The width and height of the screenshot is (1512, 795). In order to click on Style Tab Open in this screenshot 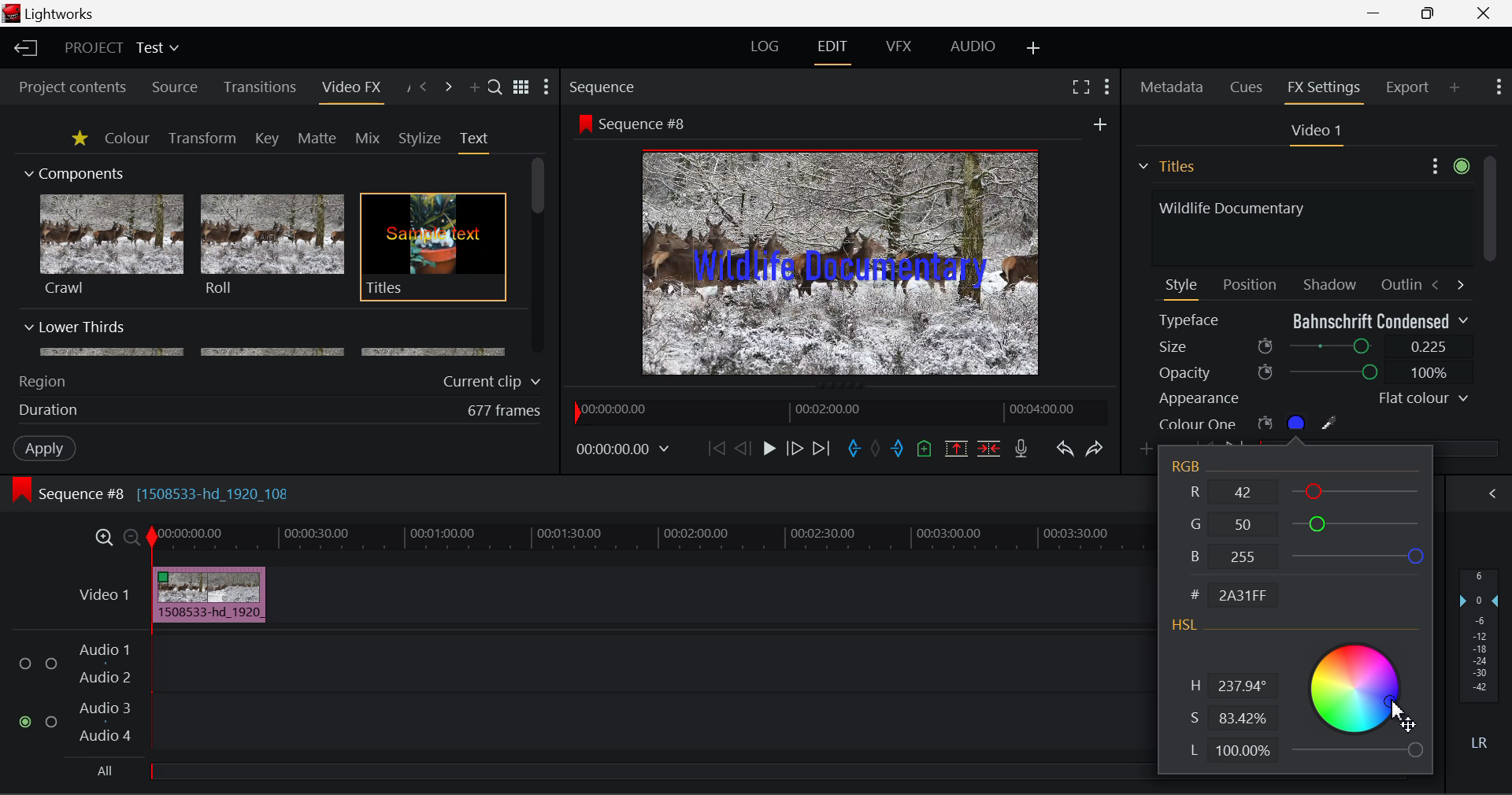, I will do `click(1183, 288)`.